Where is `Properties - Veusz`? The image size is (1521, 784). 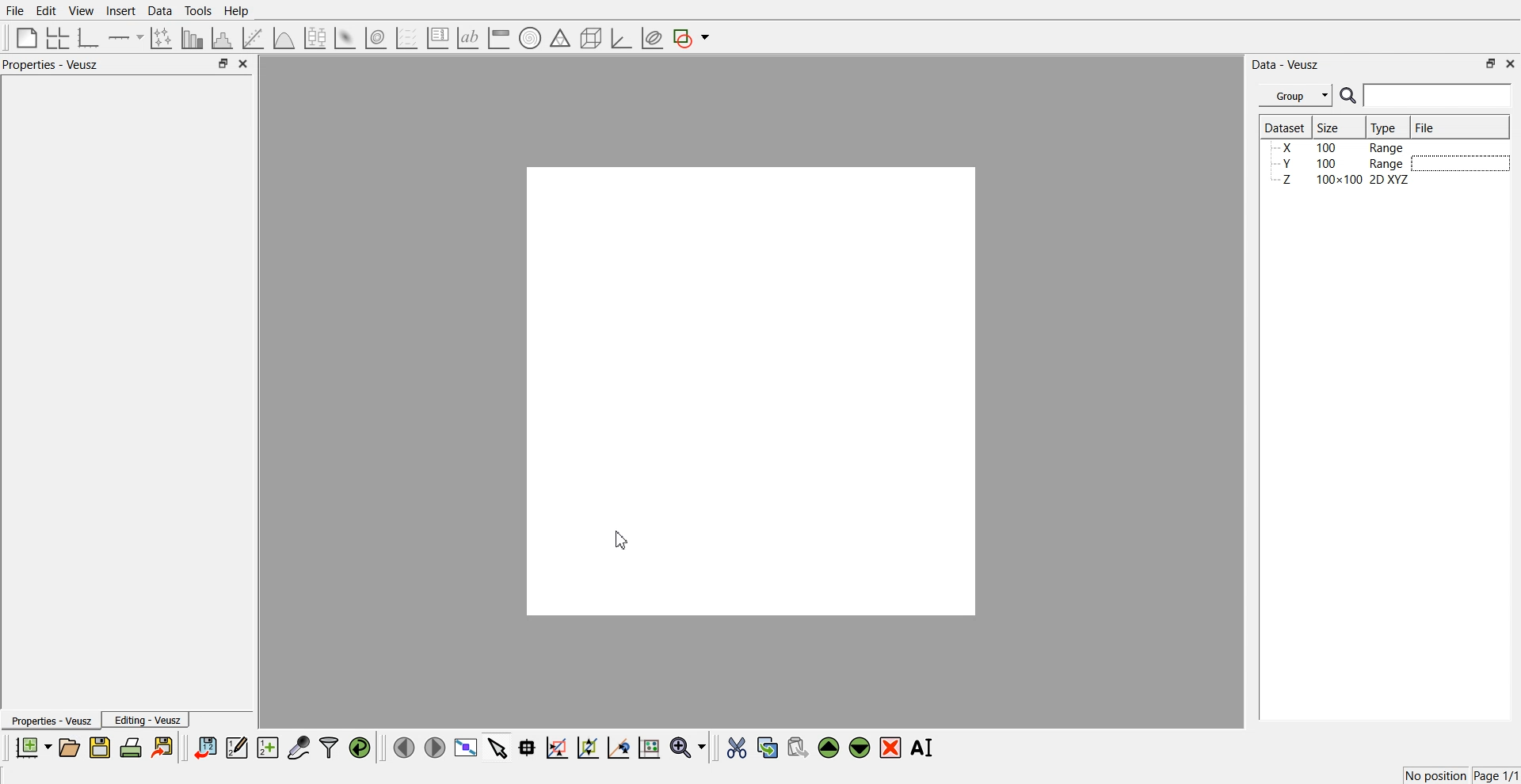
Properties - Veusz is located at coordinates (50, 720).